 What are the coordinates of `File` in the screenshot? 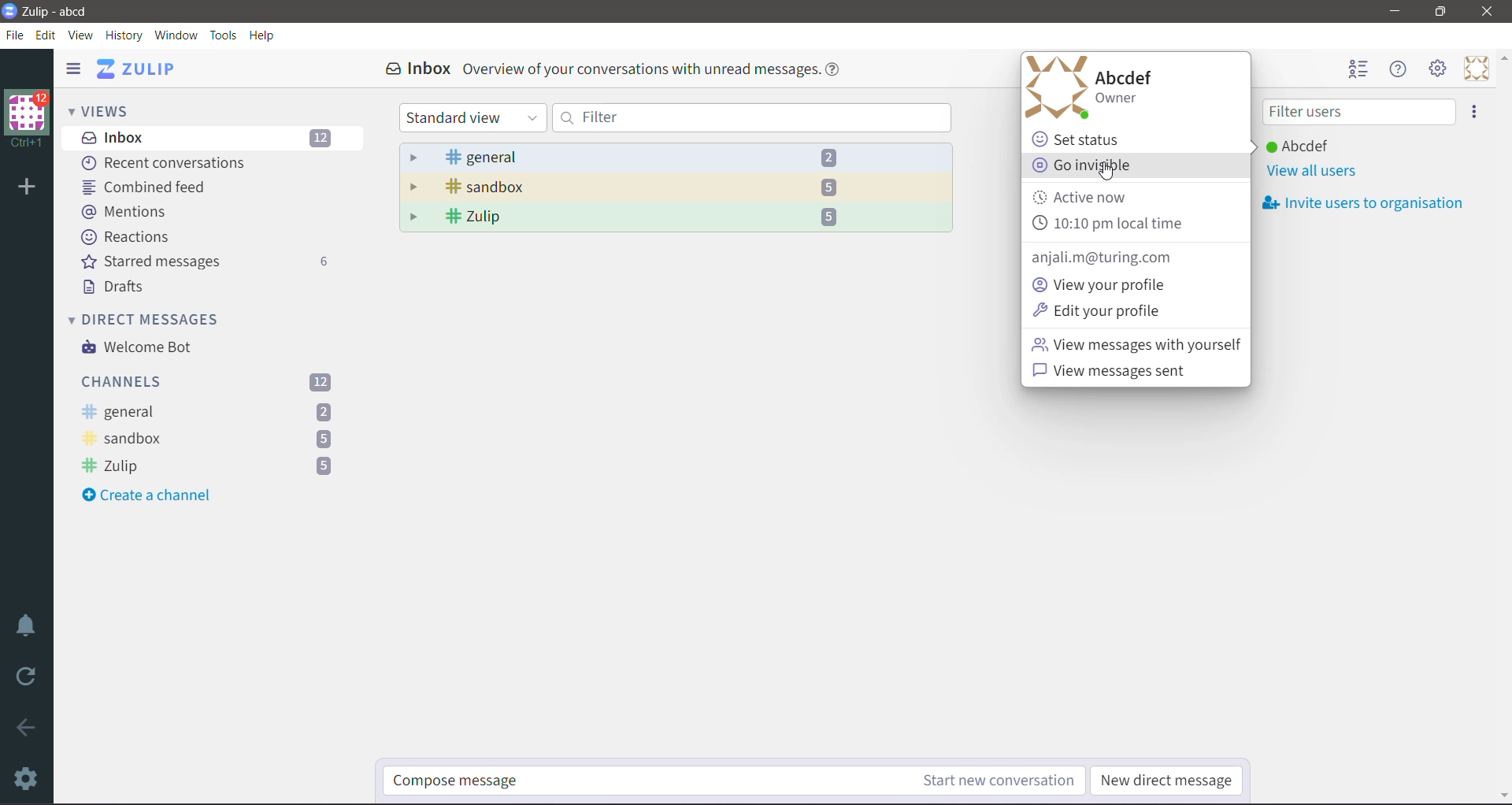 It's located at (16, 34).